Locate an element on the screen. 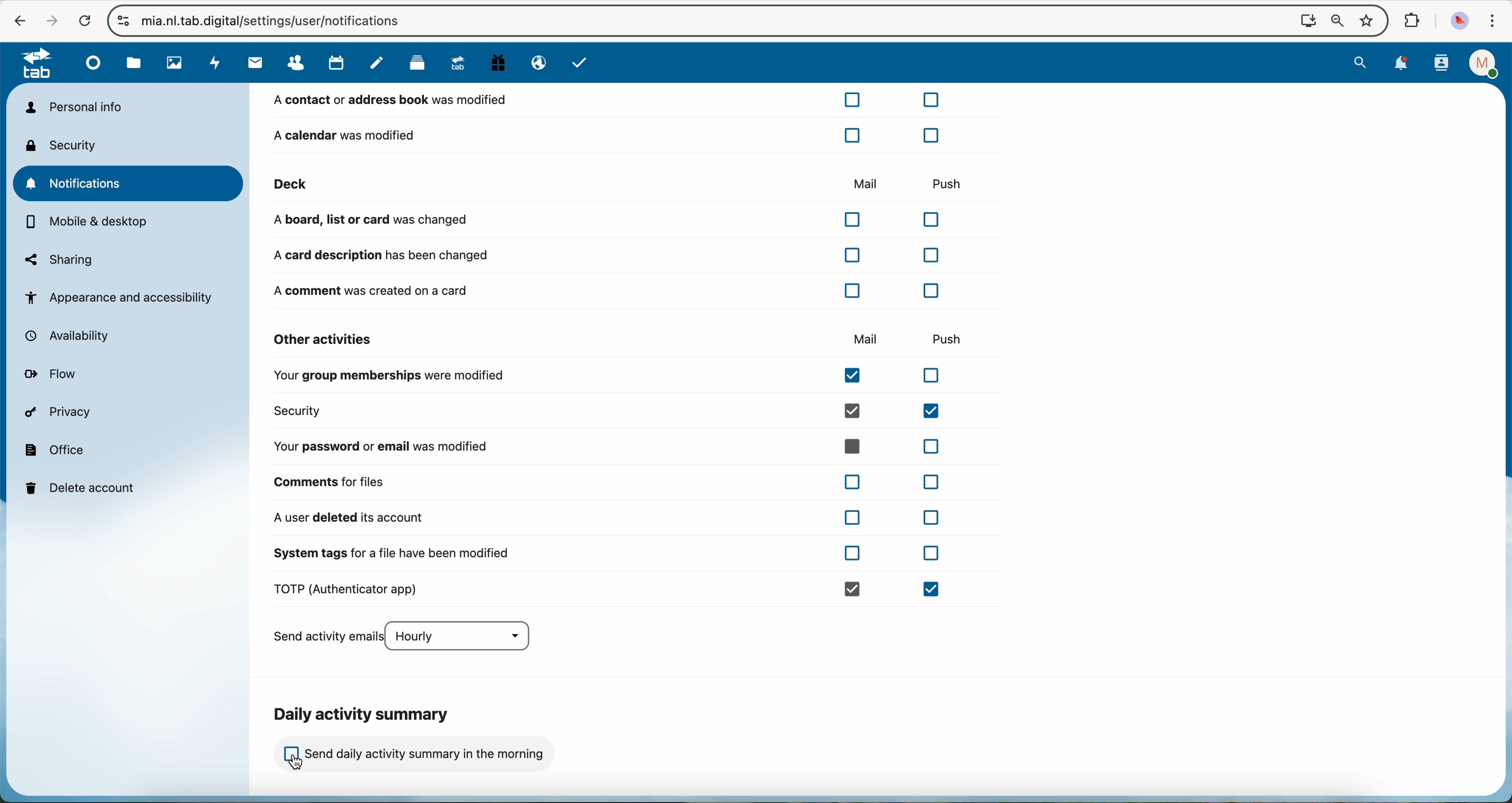 The height and width of the screenshot is (803, 1512). security is located at coordinates (65, 145).